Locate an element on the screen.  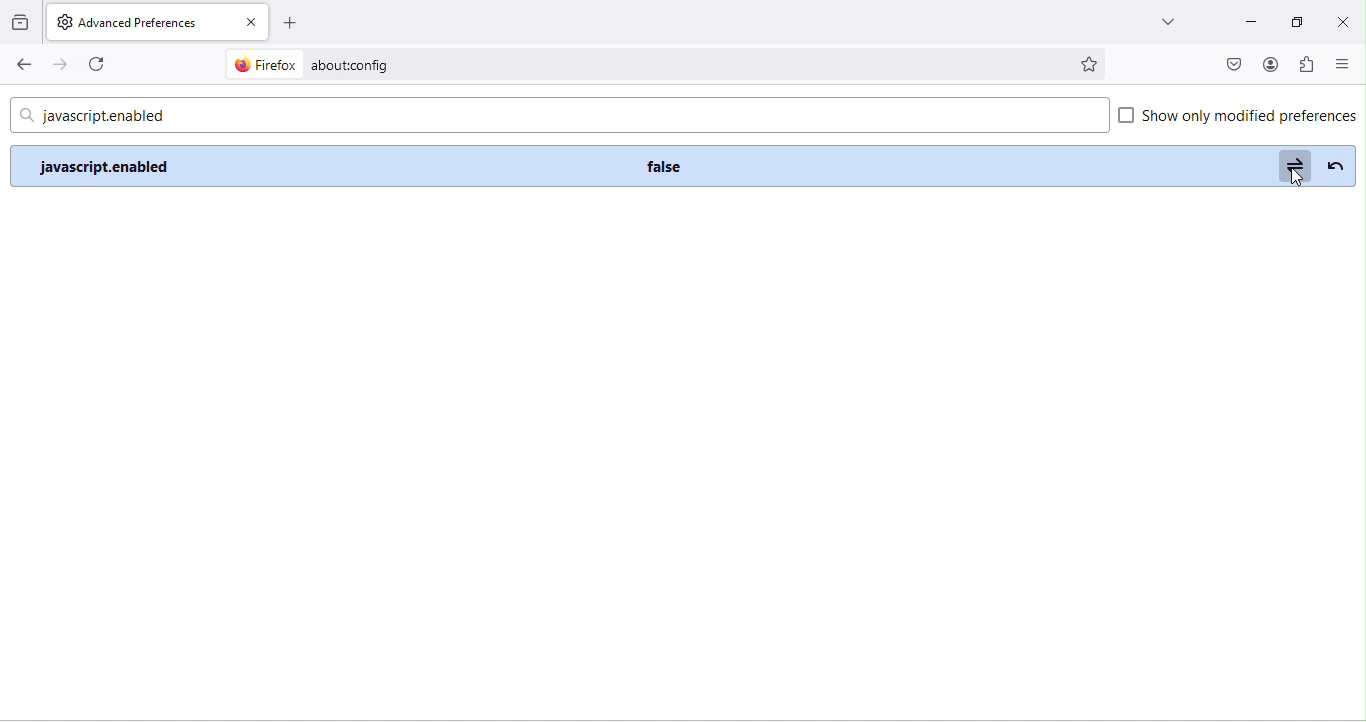
drop down is located at coordinates (1167, 22).